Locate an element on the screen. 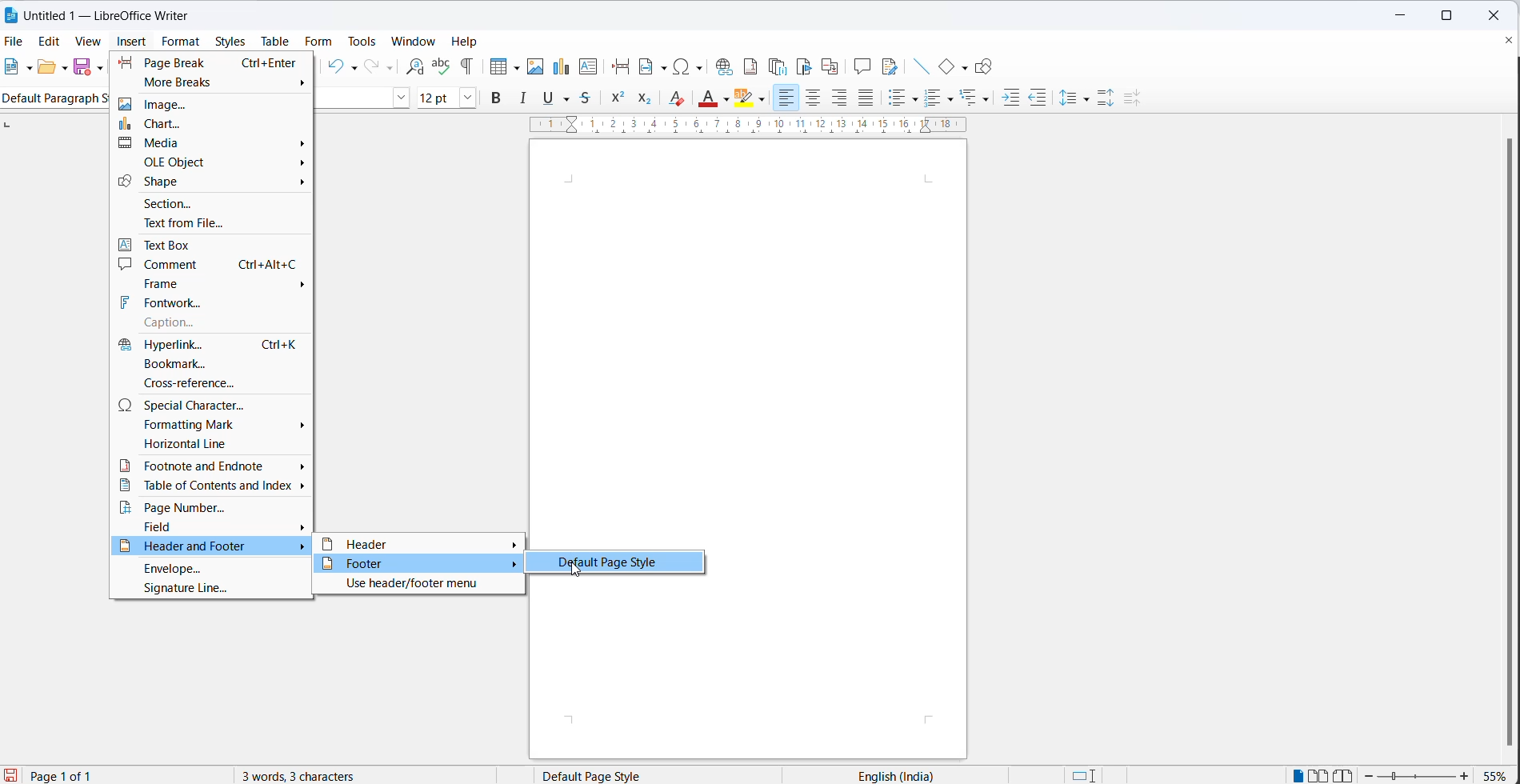  strikethrough is located at coordinates (590, 98).